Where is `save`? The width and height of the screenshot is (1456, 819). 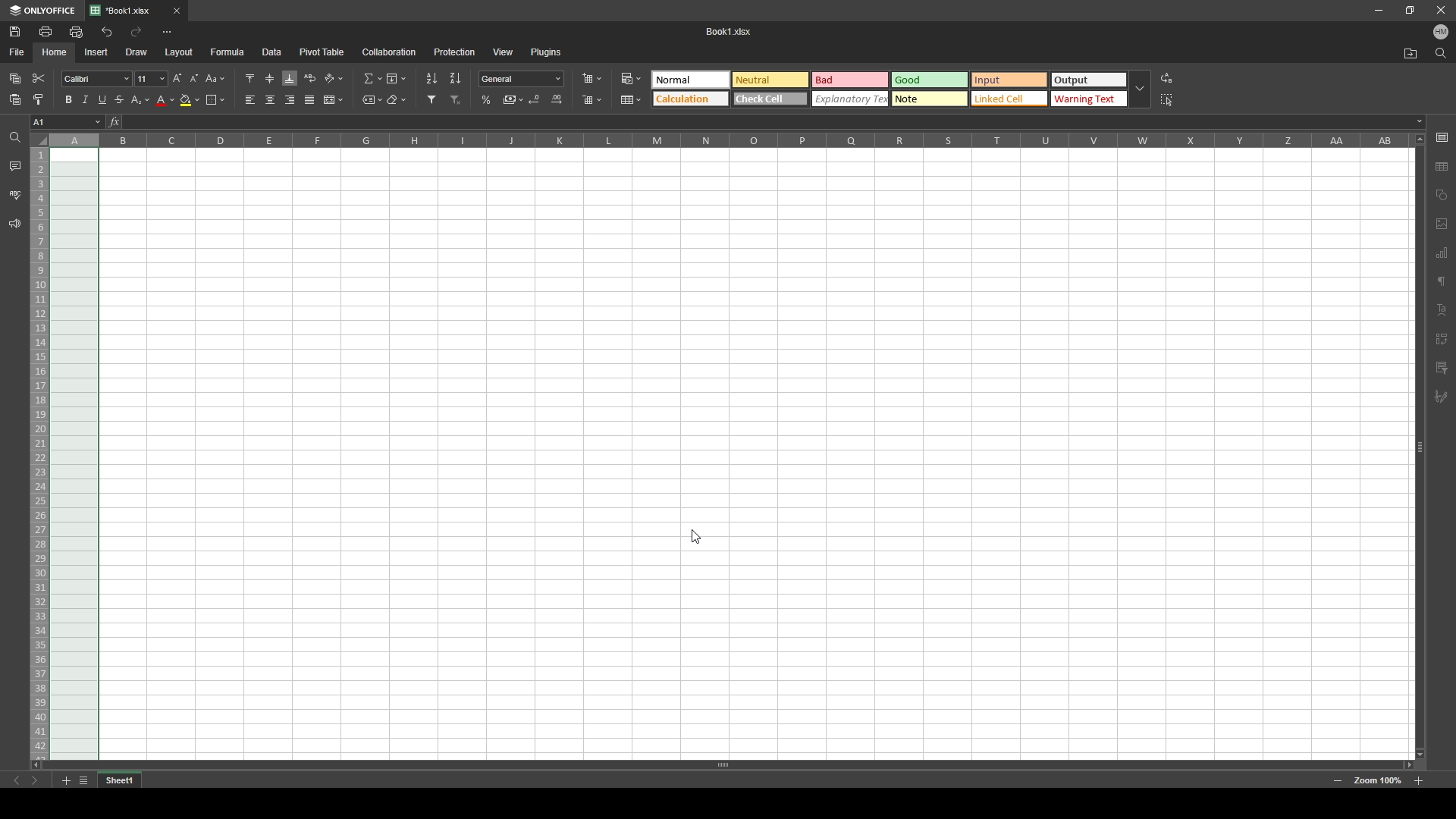
save is located at coordinates (16, 31).